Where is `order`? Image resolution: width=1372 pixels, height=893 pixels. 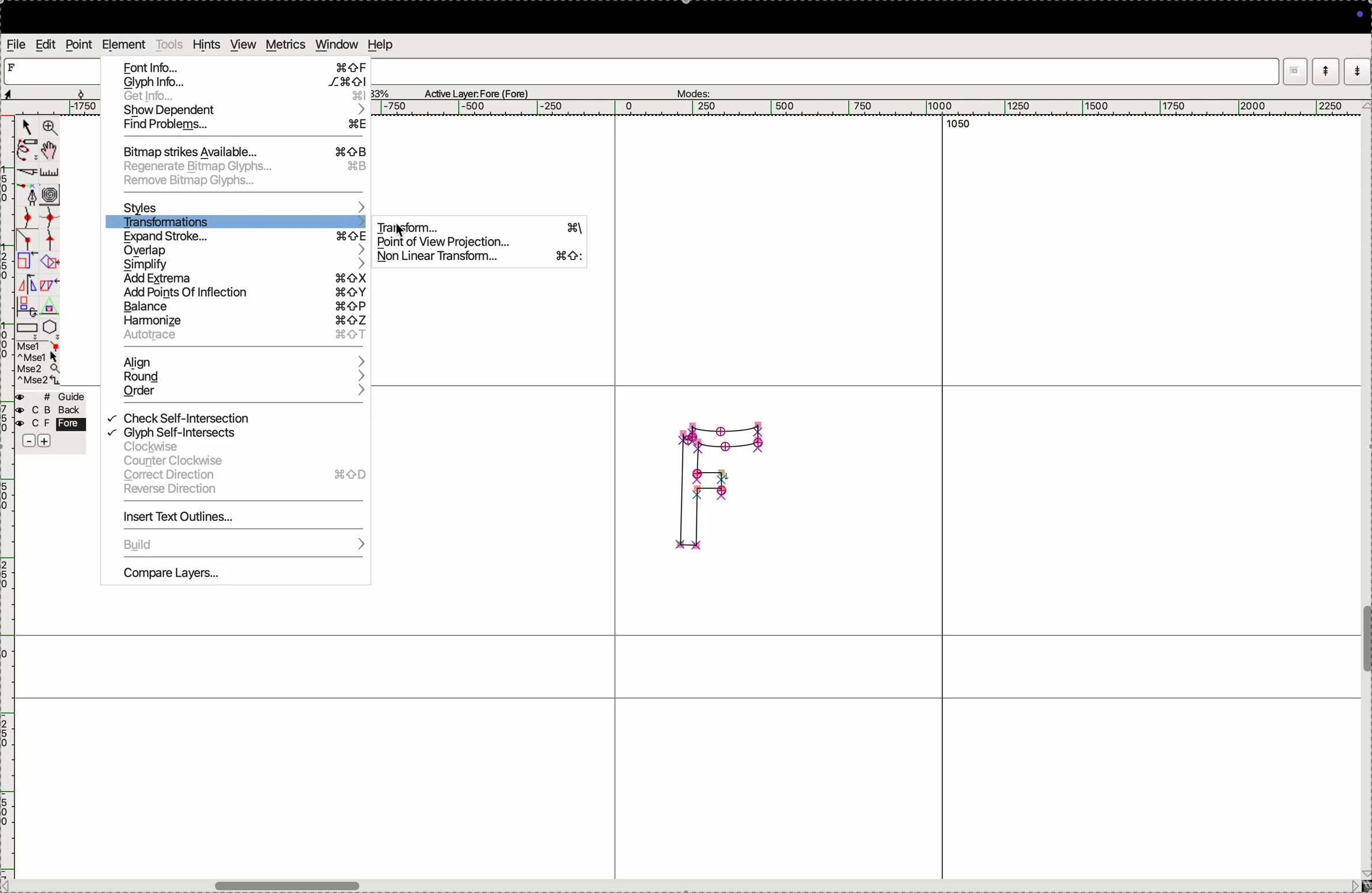
order is located at coordinates (240, 394).